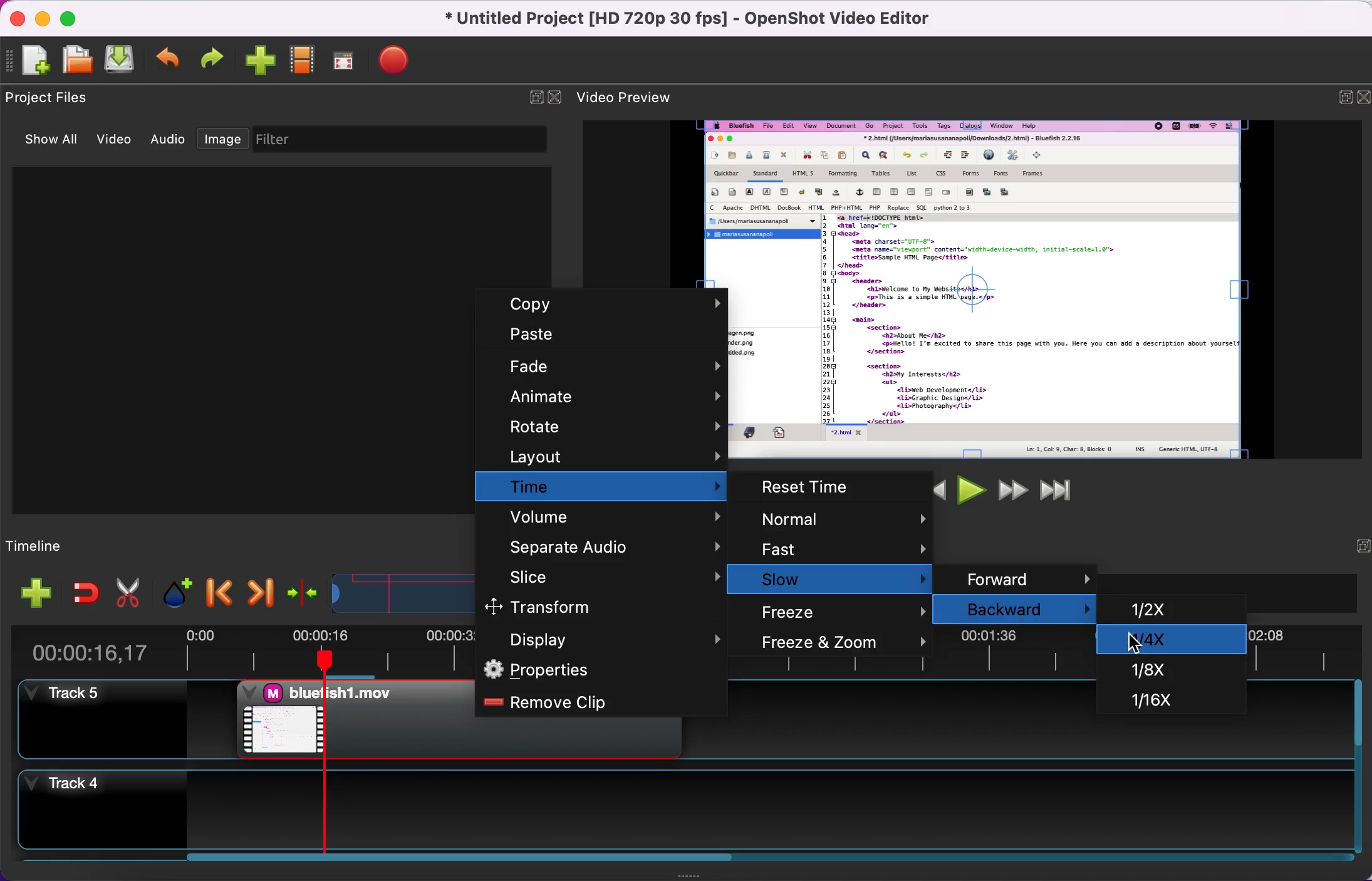  I want to click on minimize, so click(46, 20).